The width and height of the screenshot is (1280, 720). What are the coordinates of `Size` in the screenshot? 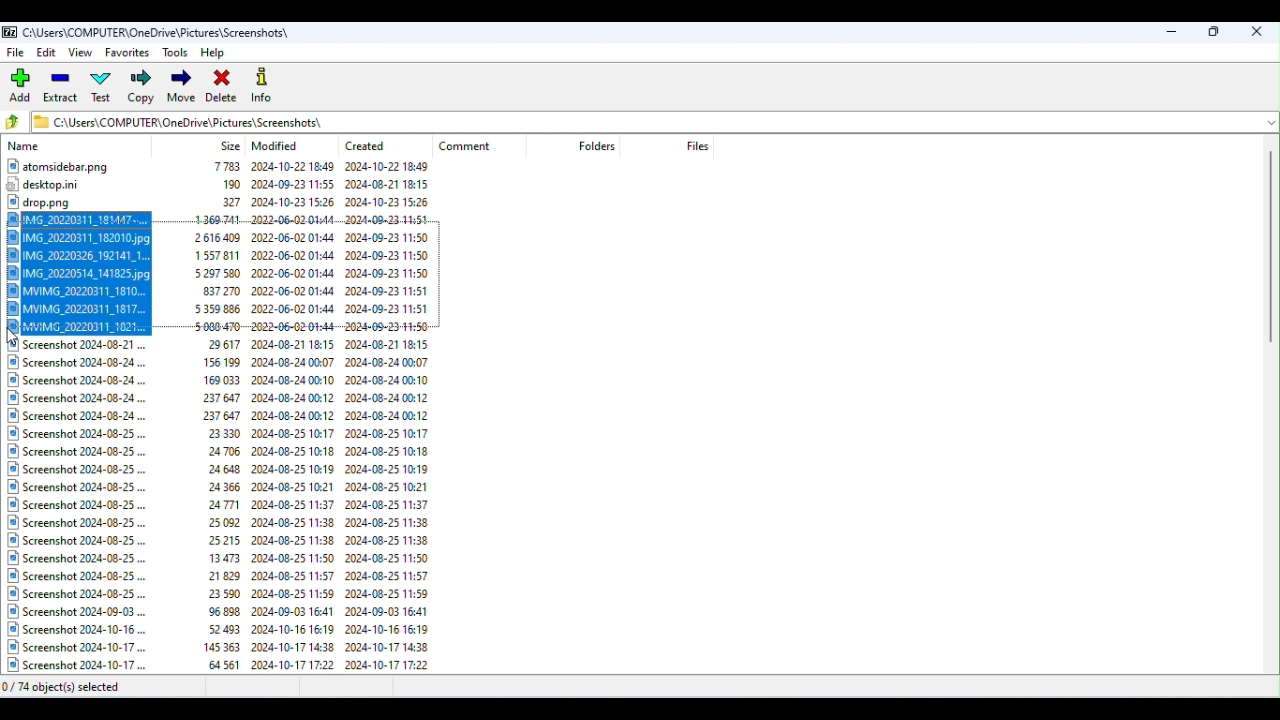 It's located at (231, 145).